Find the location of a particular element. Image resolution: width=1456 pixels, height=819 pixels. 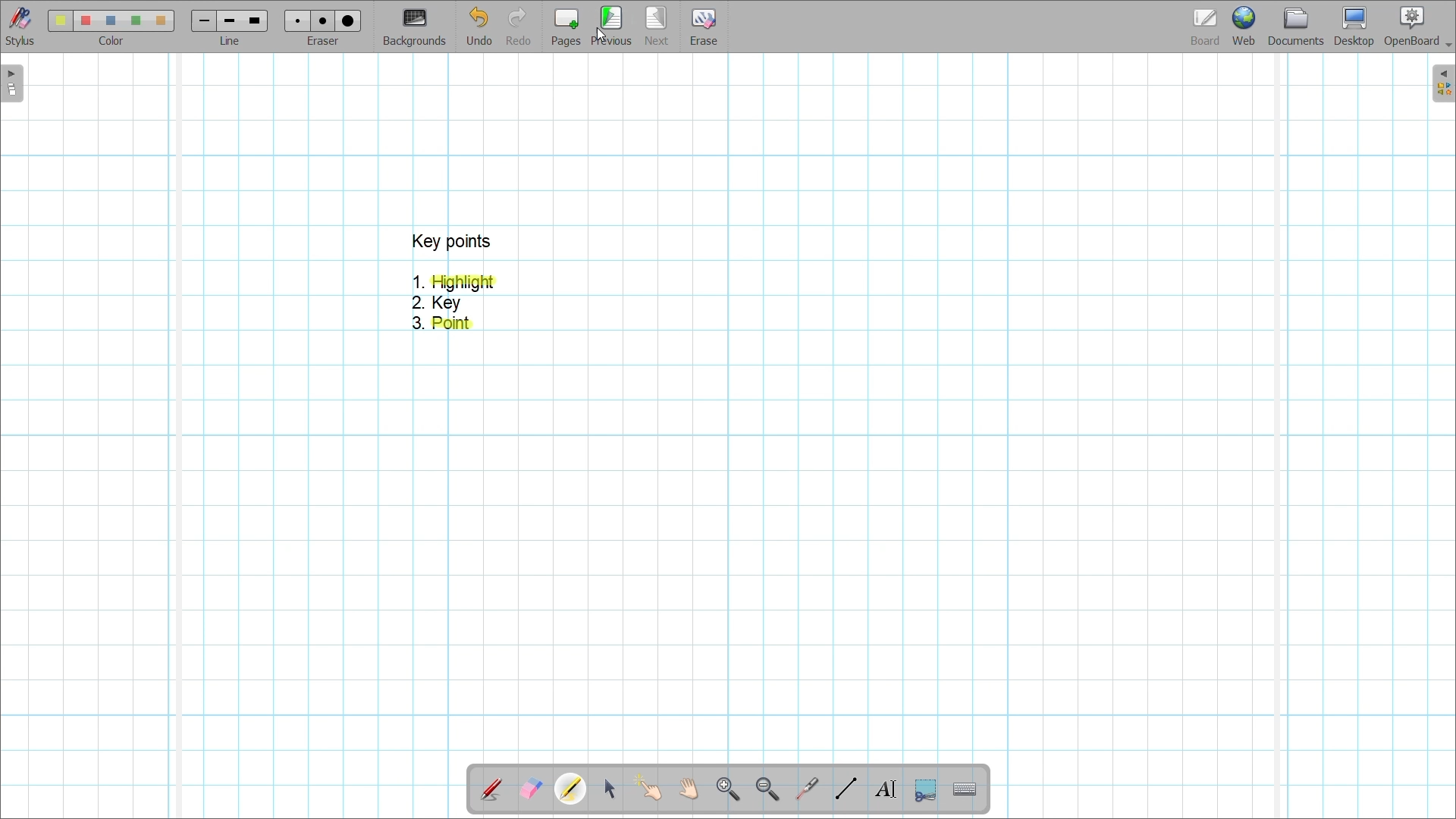

Select and modify objects highlighted is located at coordinates (609, 789).